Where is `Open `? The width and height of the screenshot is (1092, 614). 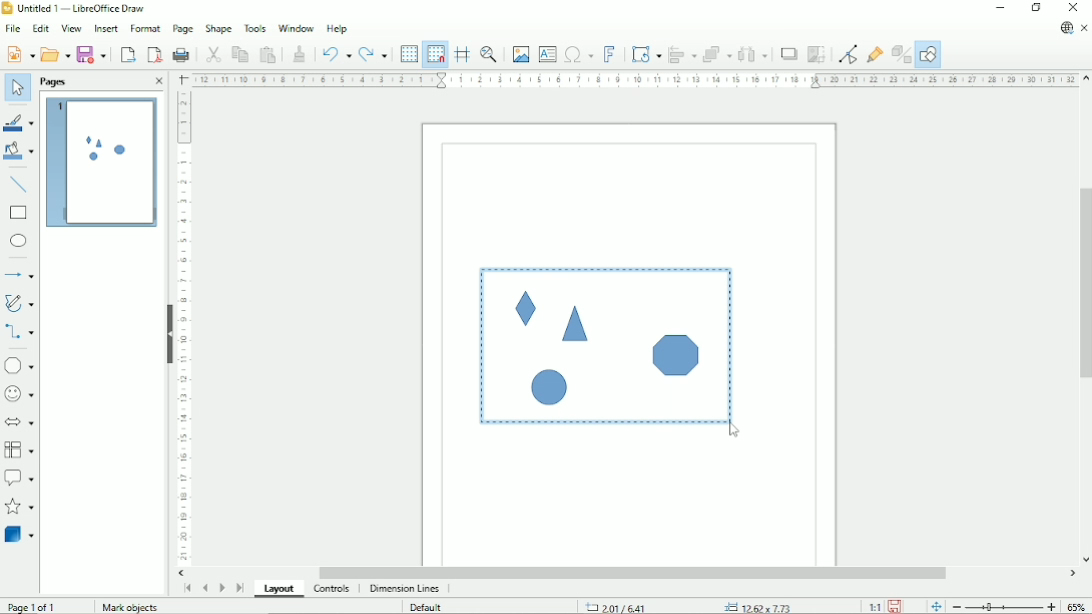
Open  is located at coordinates (55, 55).